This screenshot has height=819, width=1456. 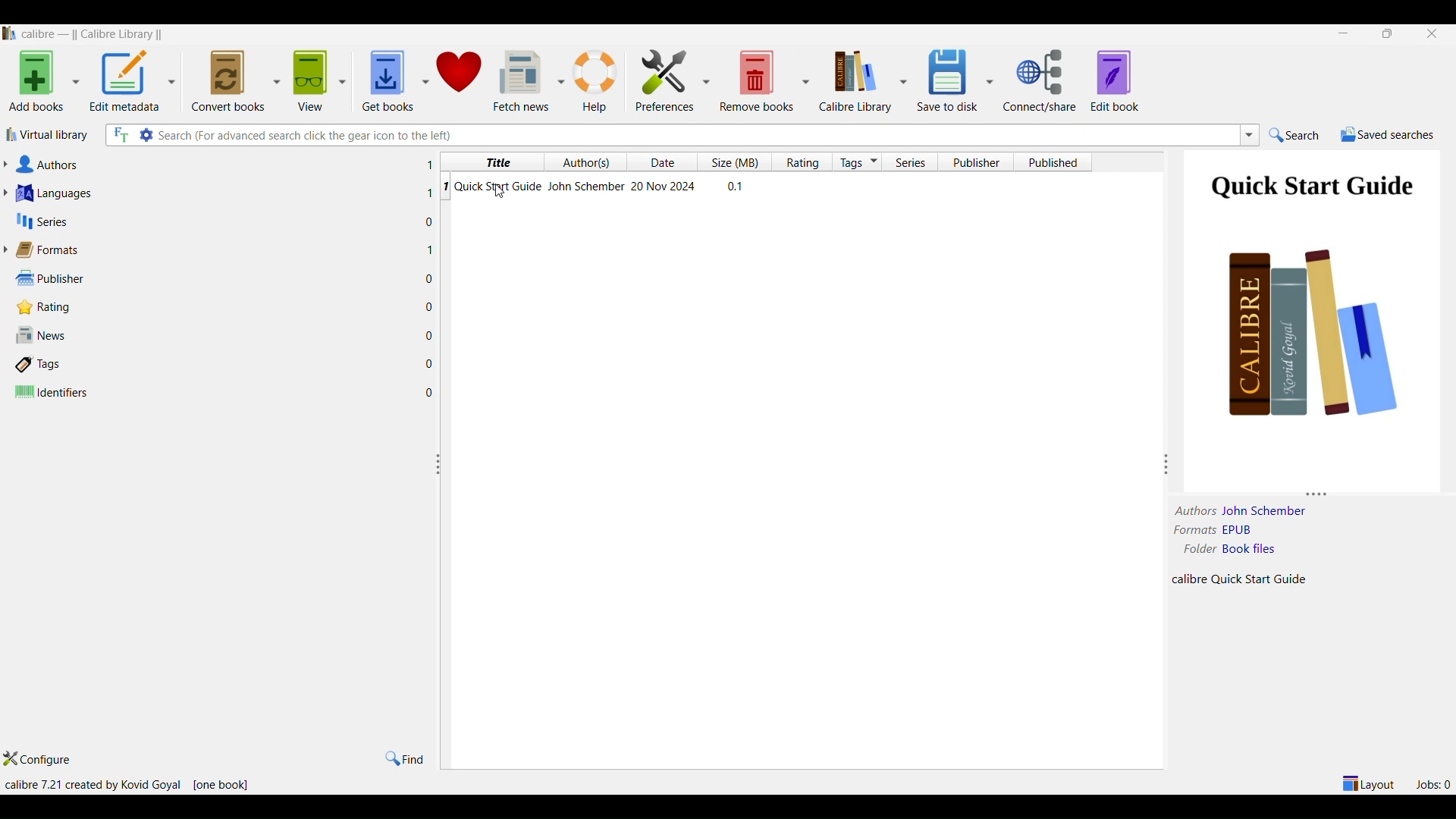 What do you see at coordinates (696, 134) in the screenshot?
I see `search box` at bounding box center [696, 134].